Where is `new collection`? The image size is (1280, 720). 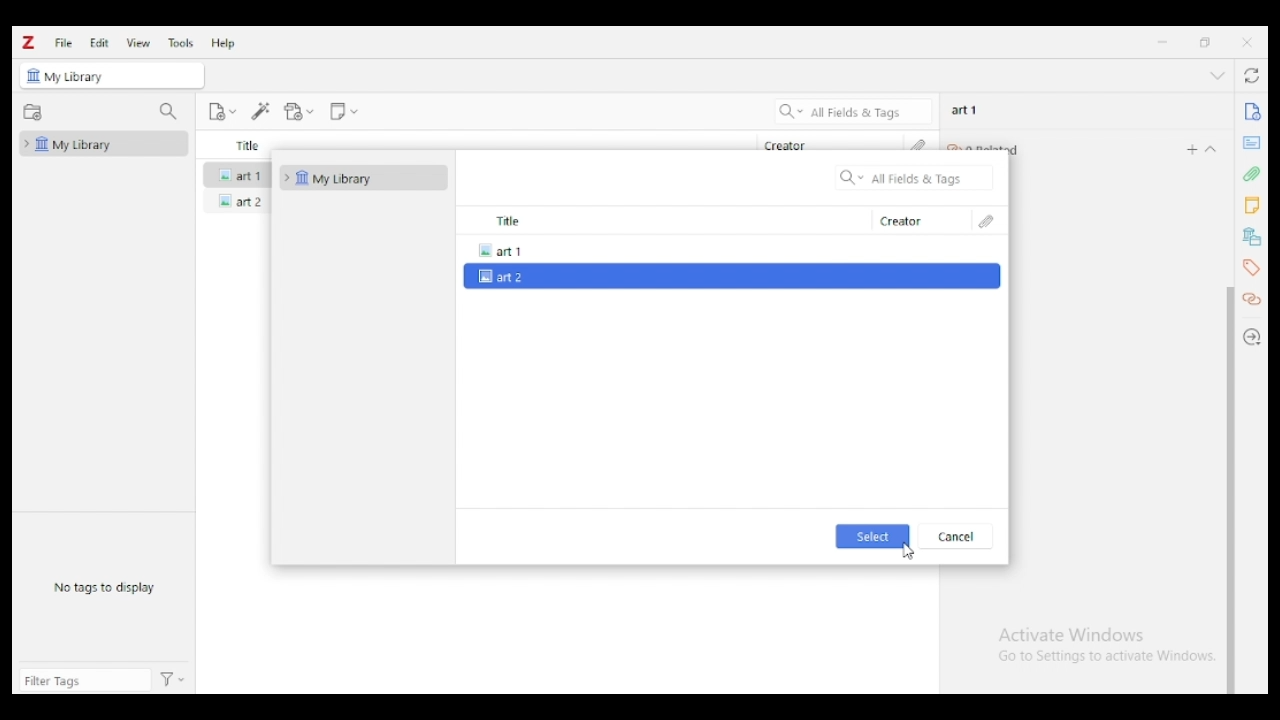 new collection is located at coordinates (33, 113).